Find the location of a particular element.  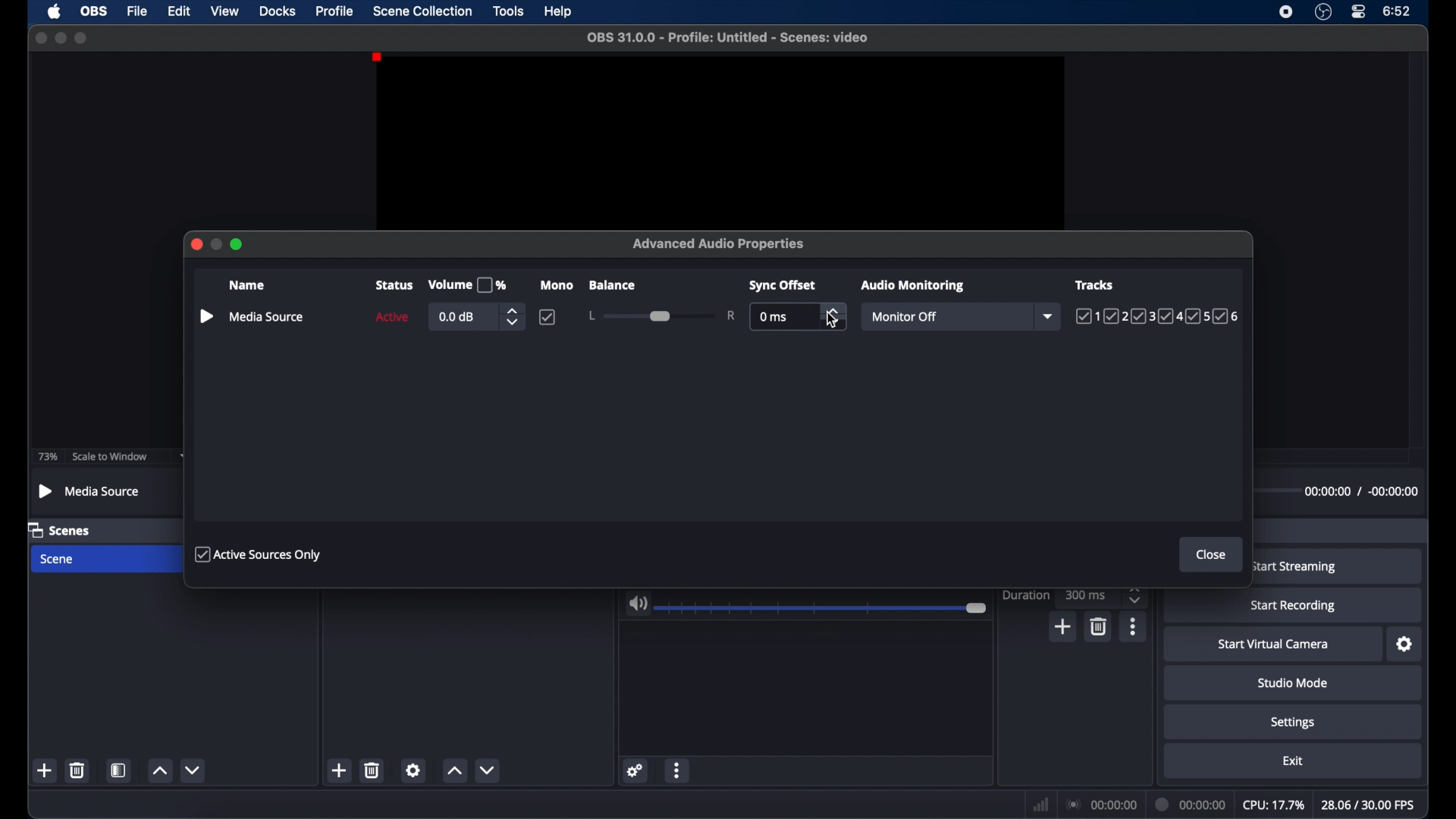

more options is located at coordinates (1134, 627).